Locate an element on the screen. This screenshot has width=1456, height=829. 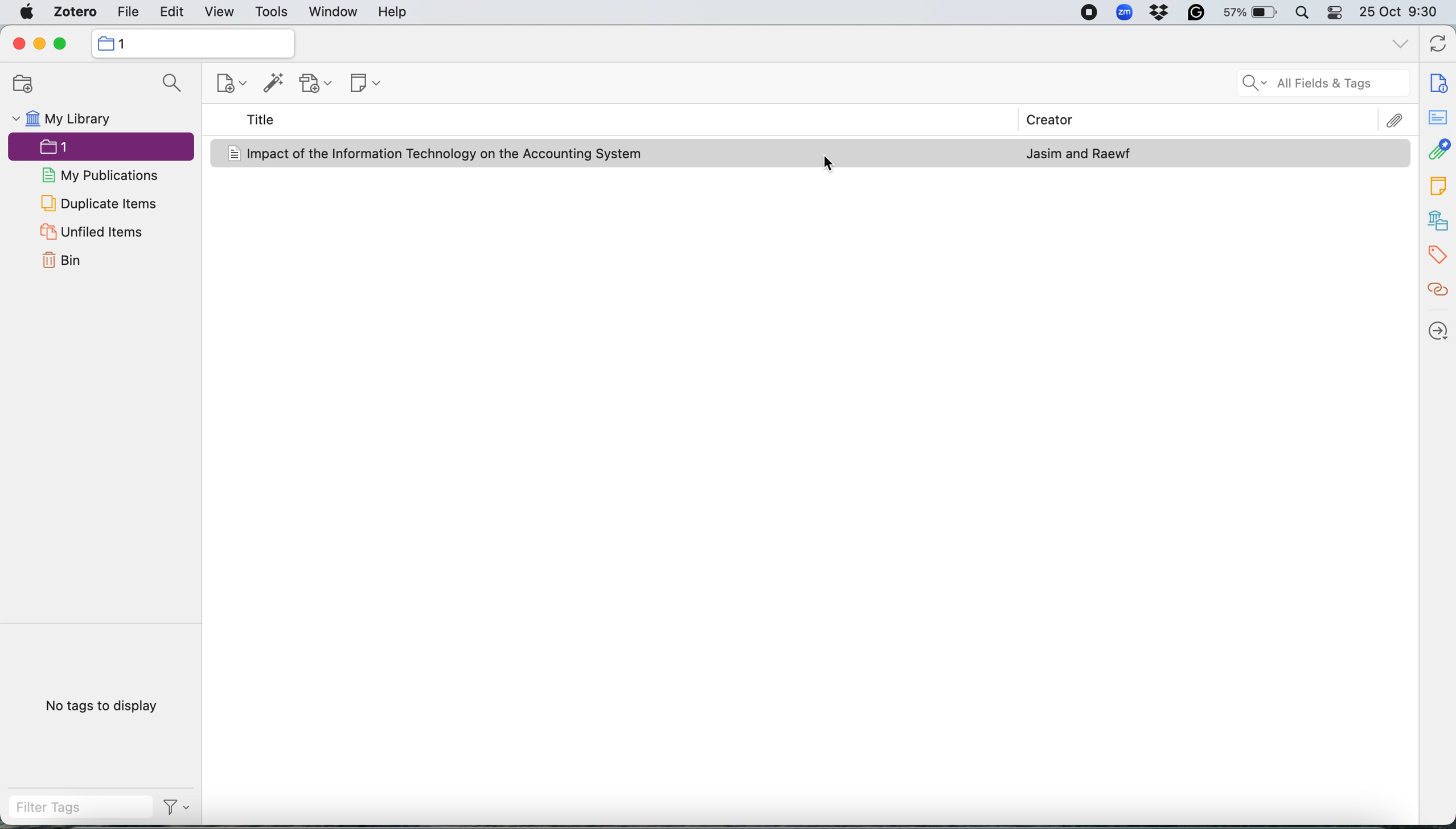
maximise is located at coordinates (63, 43).